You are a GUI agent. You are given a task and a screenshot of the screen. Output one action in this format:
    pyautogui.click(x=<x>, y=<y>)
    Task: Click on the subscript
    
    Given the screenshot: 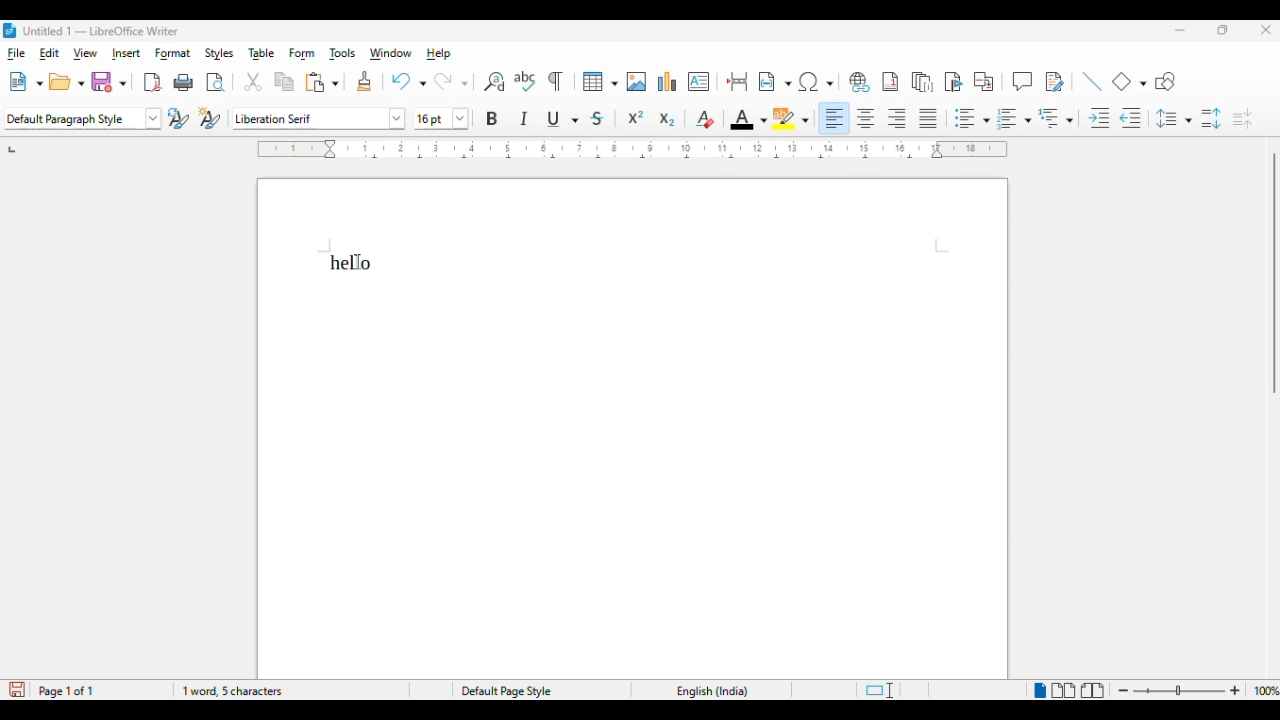 What is the action you would take?
    pyautogui.click(x=666, y=120)
    